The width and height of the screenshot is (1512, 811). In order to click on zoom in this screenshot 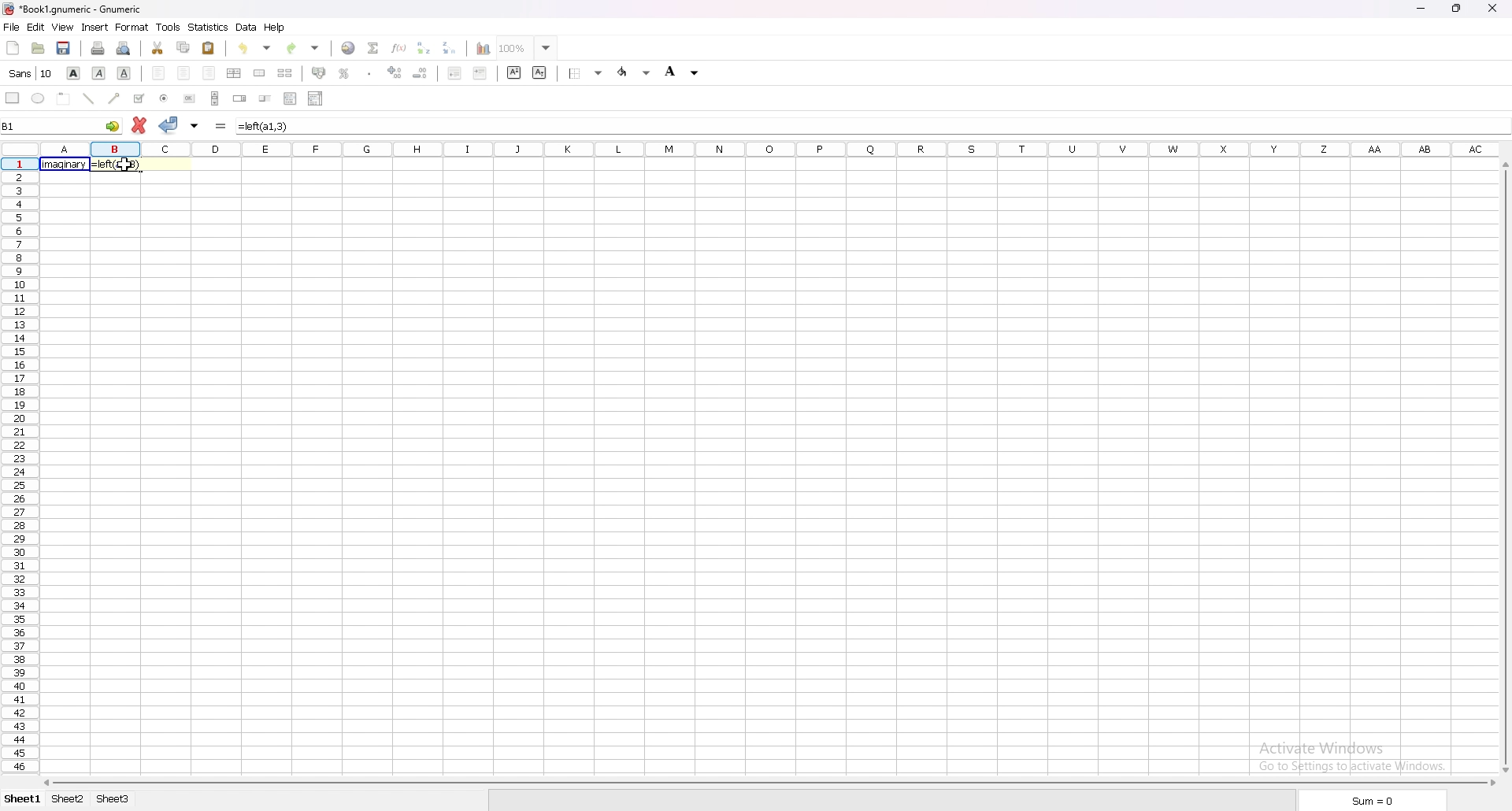, I will do `click(532, 47)`.